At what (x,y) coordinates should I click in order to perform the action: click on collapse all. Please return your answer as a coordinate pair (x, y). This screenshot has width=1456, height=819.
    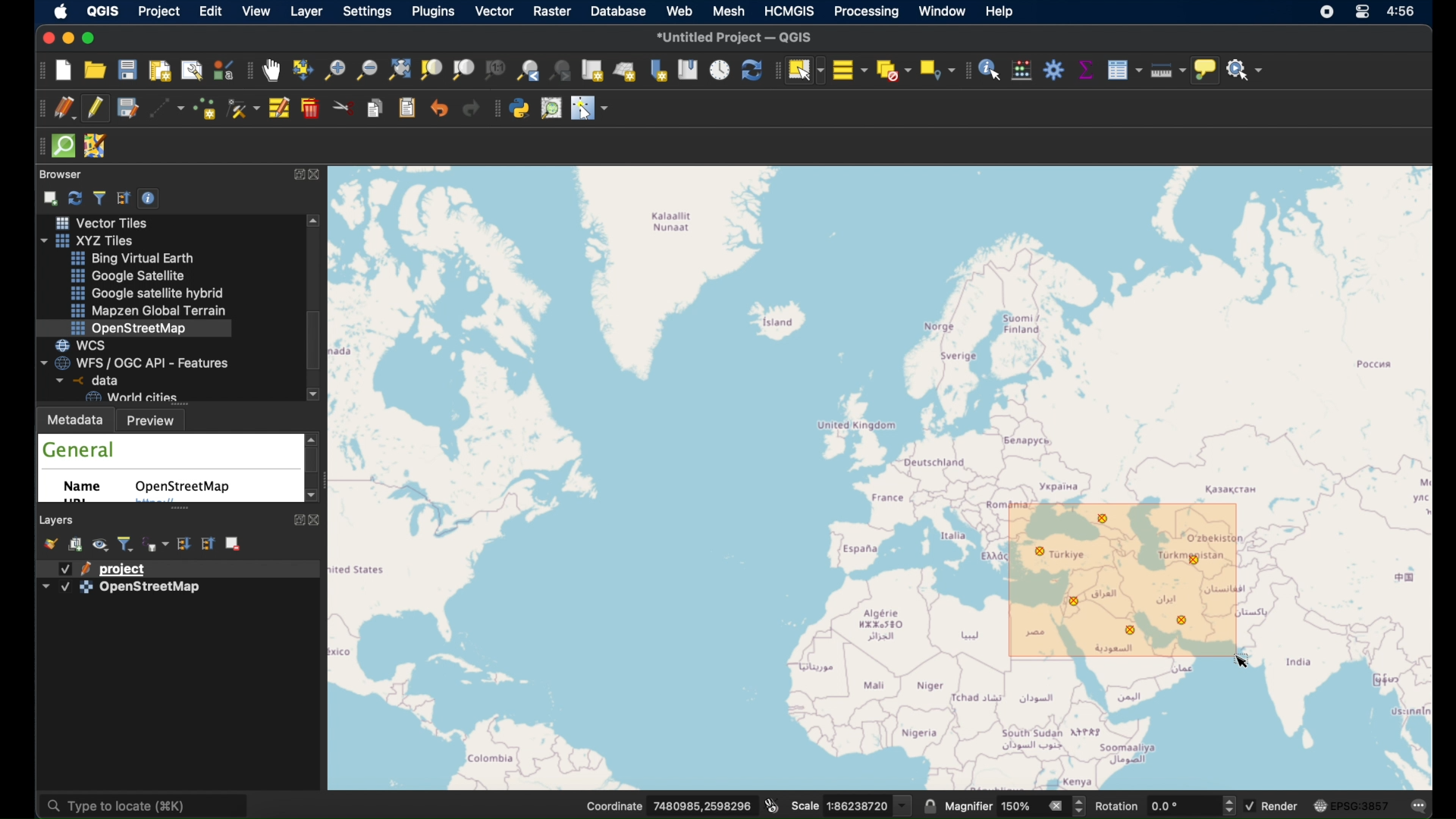
    Looking at the image, I should click on (207, 543).